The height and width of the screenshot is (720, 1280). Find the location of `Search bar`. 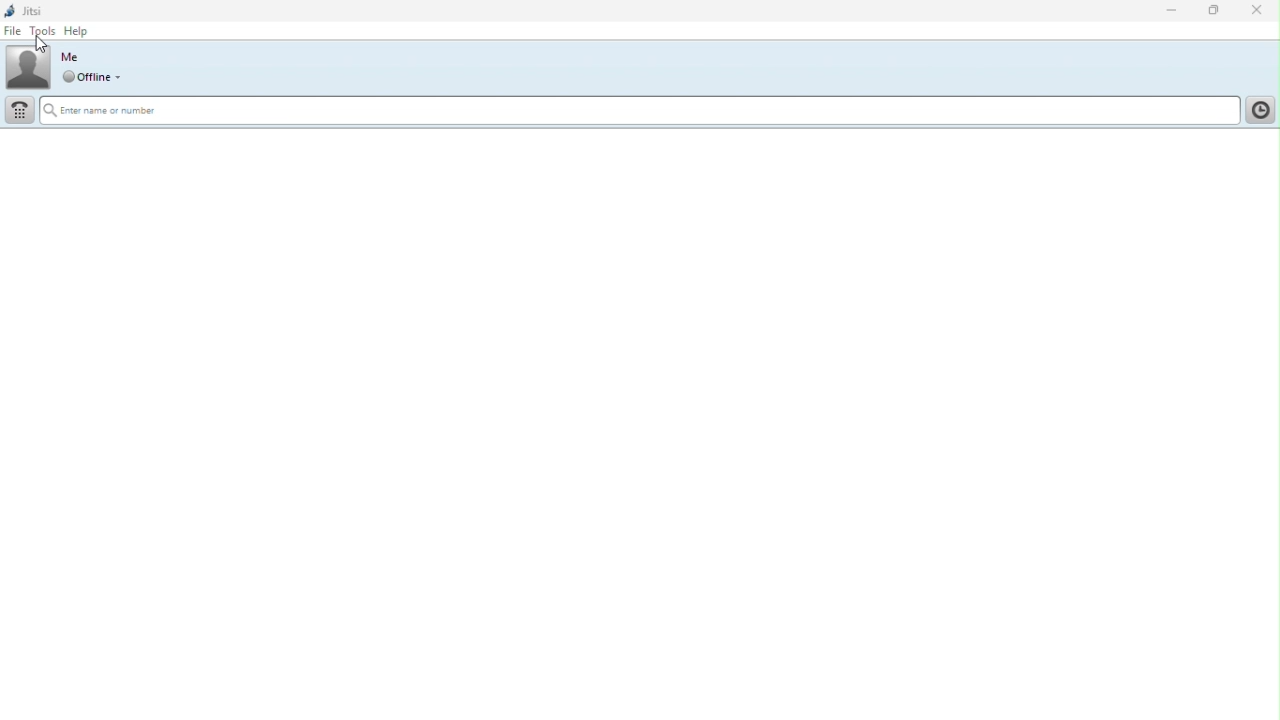

Search bar is located at coordinates (637, 113).